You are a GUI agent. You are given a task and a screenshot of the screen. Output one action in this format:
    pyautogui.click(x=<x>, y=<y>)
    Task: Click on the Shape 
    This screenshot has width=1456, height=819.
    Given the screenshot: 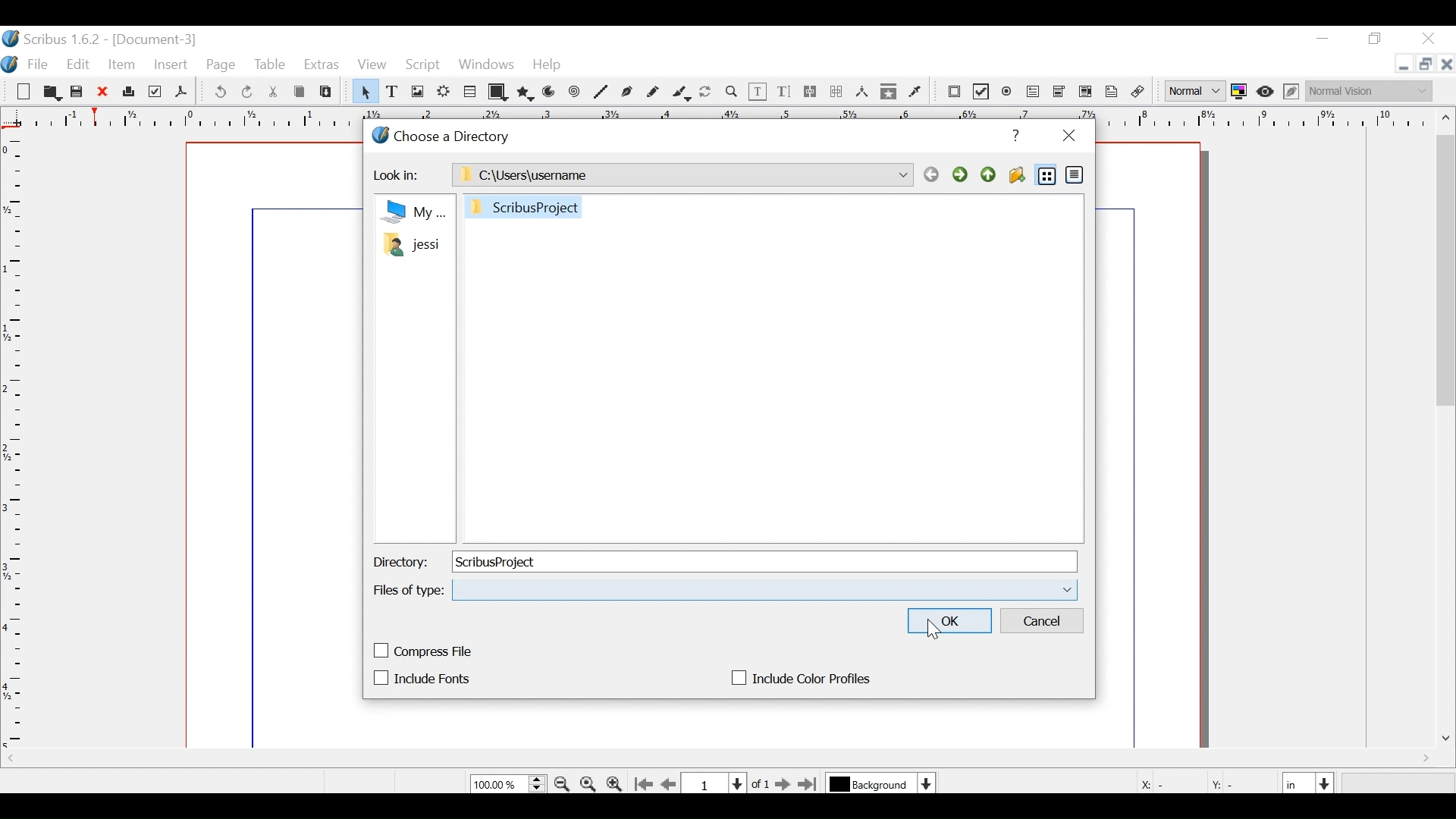 What is the action you would take?
    pyautogui.click(x=497, y=92)
    